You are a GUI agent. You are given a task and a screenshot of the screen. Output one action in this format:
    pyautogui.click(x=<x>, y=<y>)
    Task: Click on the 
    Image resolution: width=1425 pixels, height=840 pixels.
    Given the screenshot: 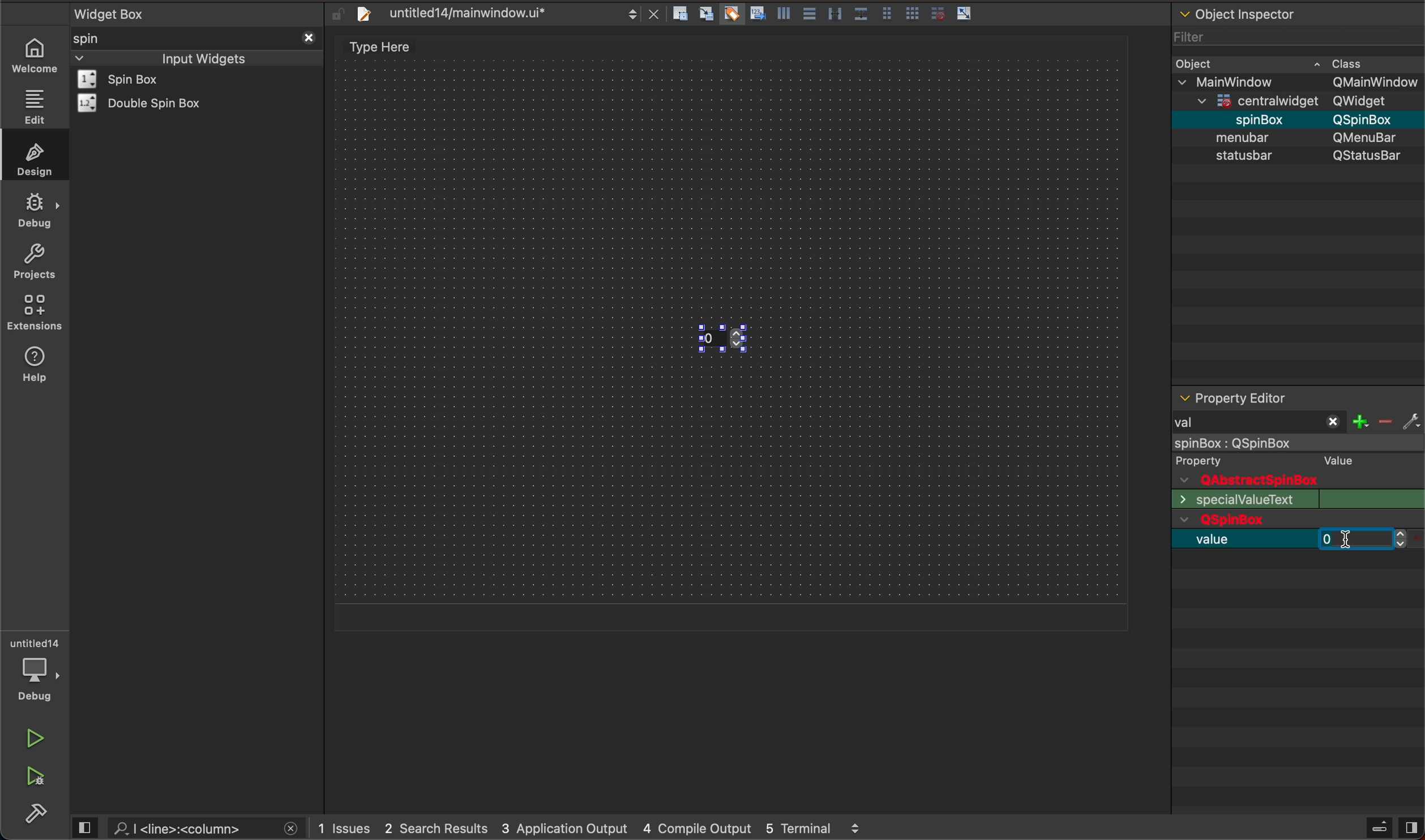 What is the action you would take?
    pyautogui.click(x=1374, y=82)
    